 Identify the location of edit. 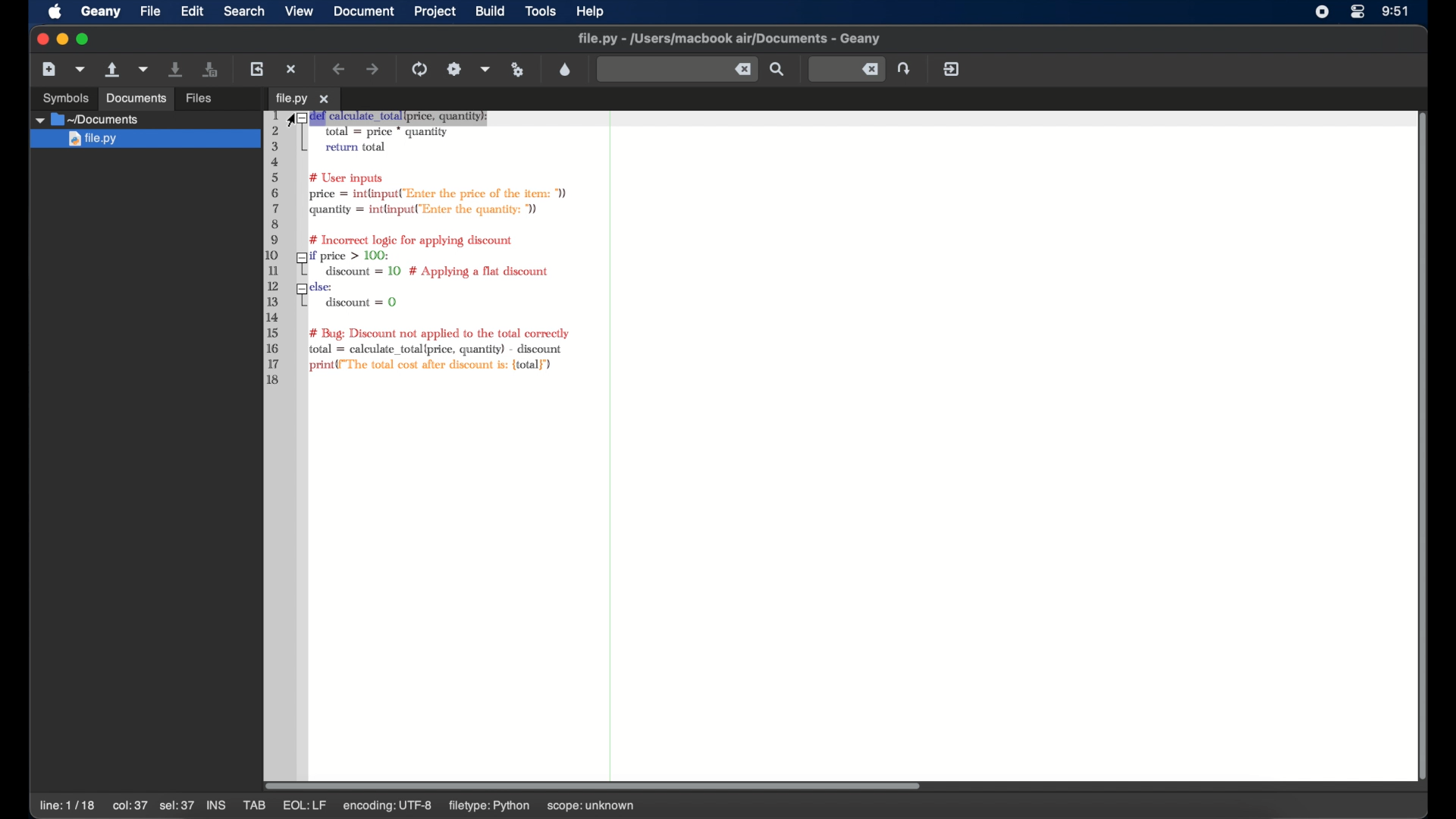
(191, 11).